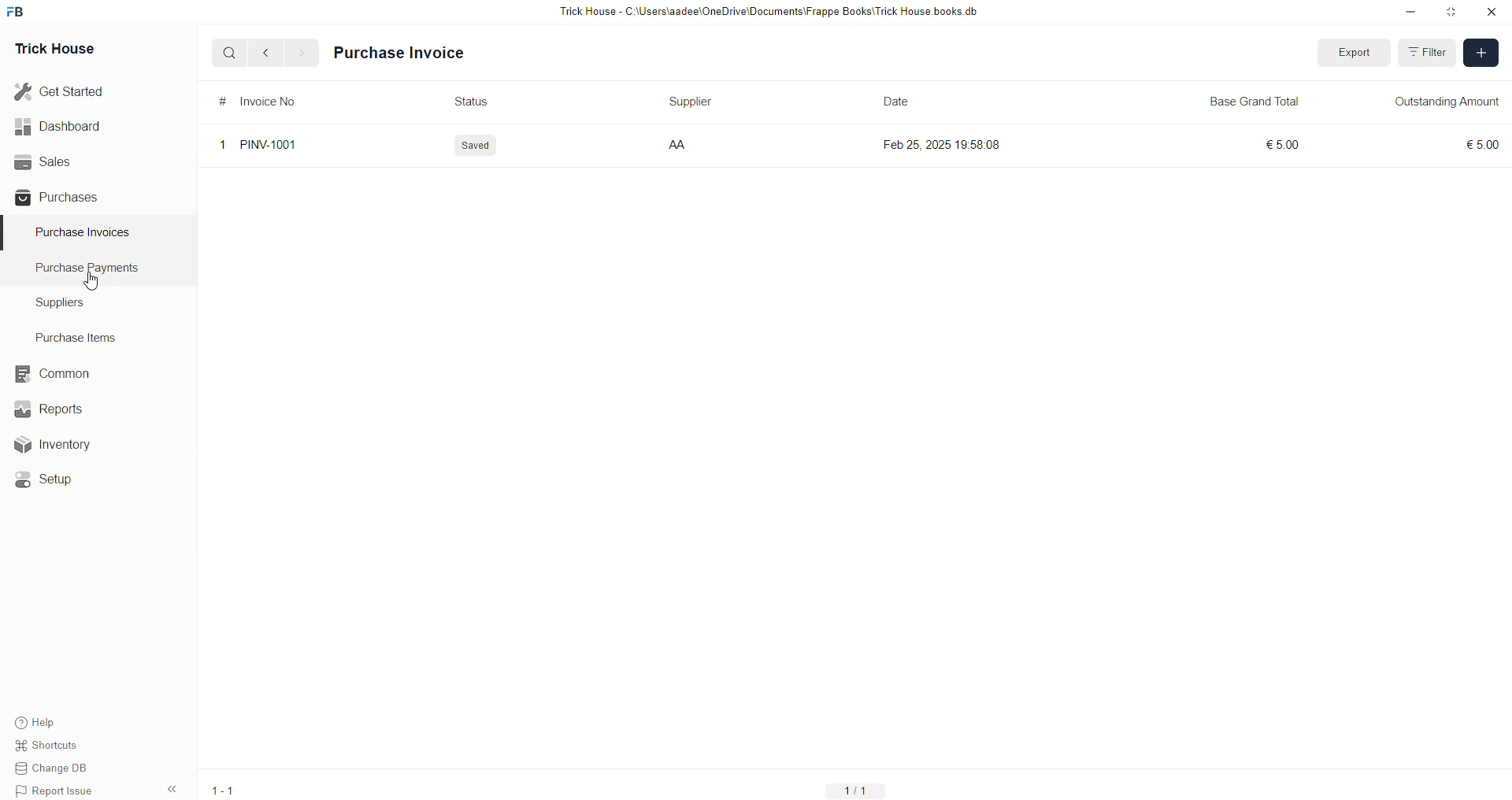 The image size is (1512, 800). I want to click on Trick House, so click(50, 47).